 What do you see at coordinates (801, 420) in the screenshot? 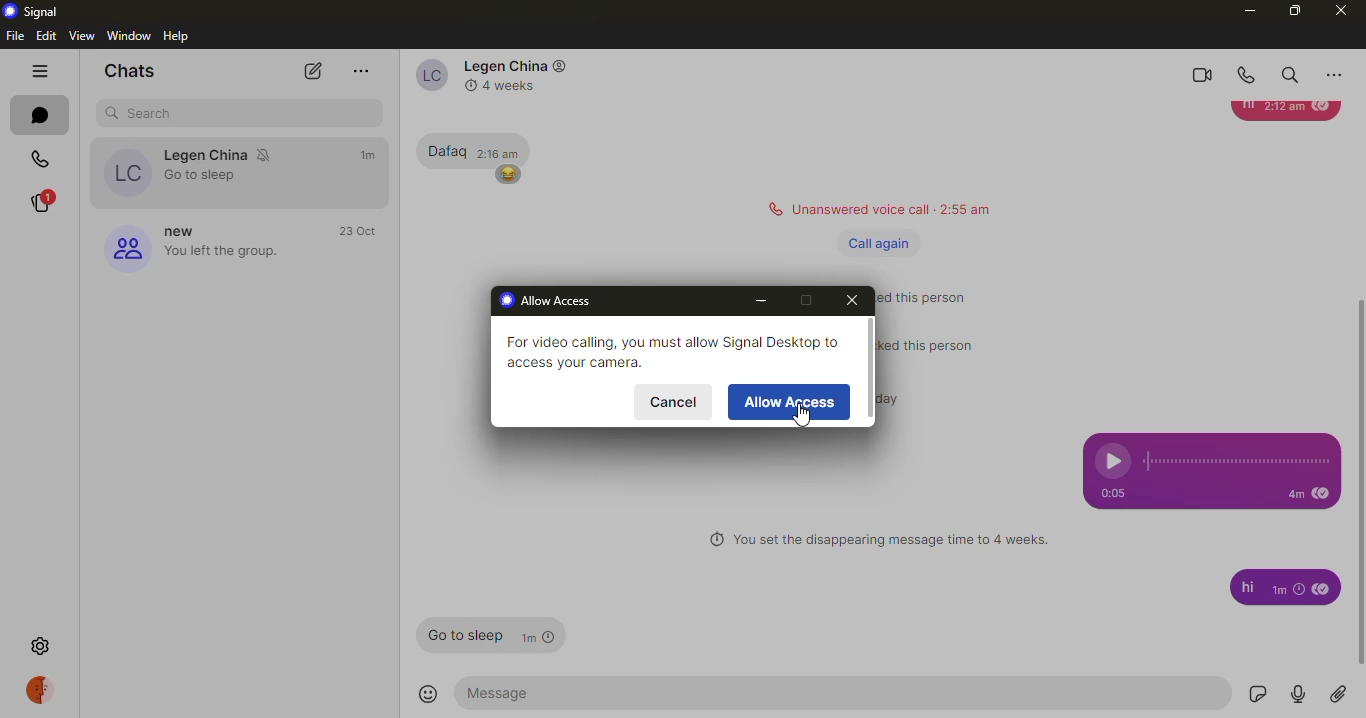
I see `cursor` at bounding box center [801, 420].